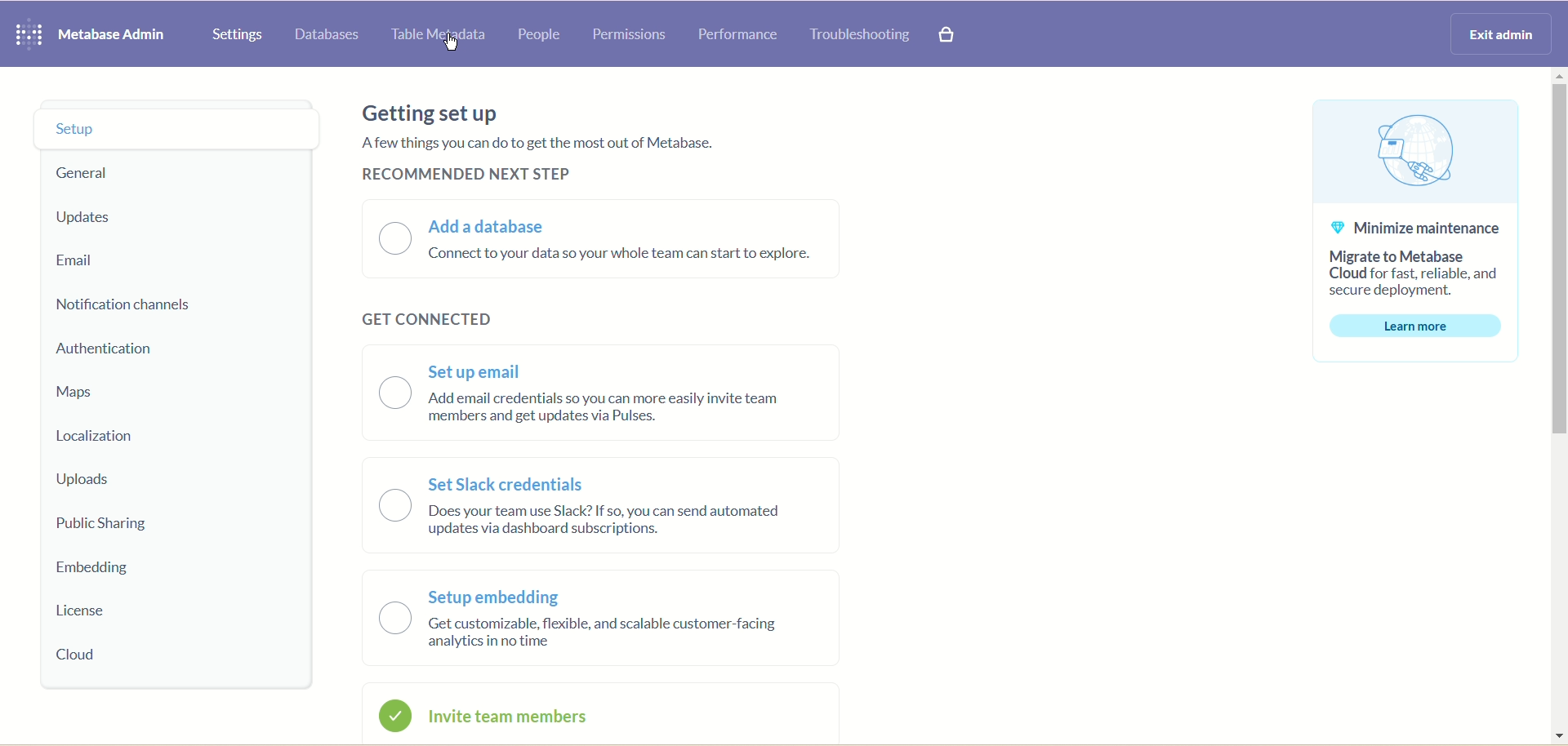  What do you see at coordinates (606, 393) in the screenshot?
I see `Set up email Add email credentials so you can more easily invite teammembers and get updates via Pulses.` at bounding box center [606, 393].